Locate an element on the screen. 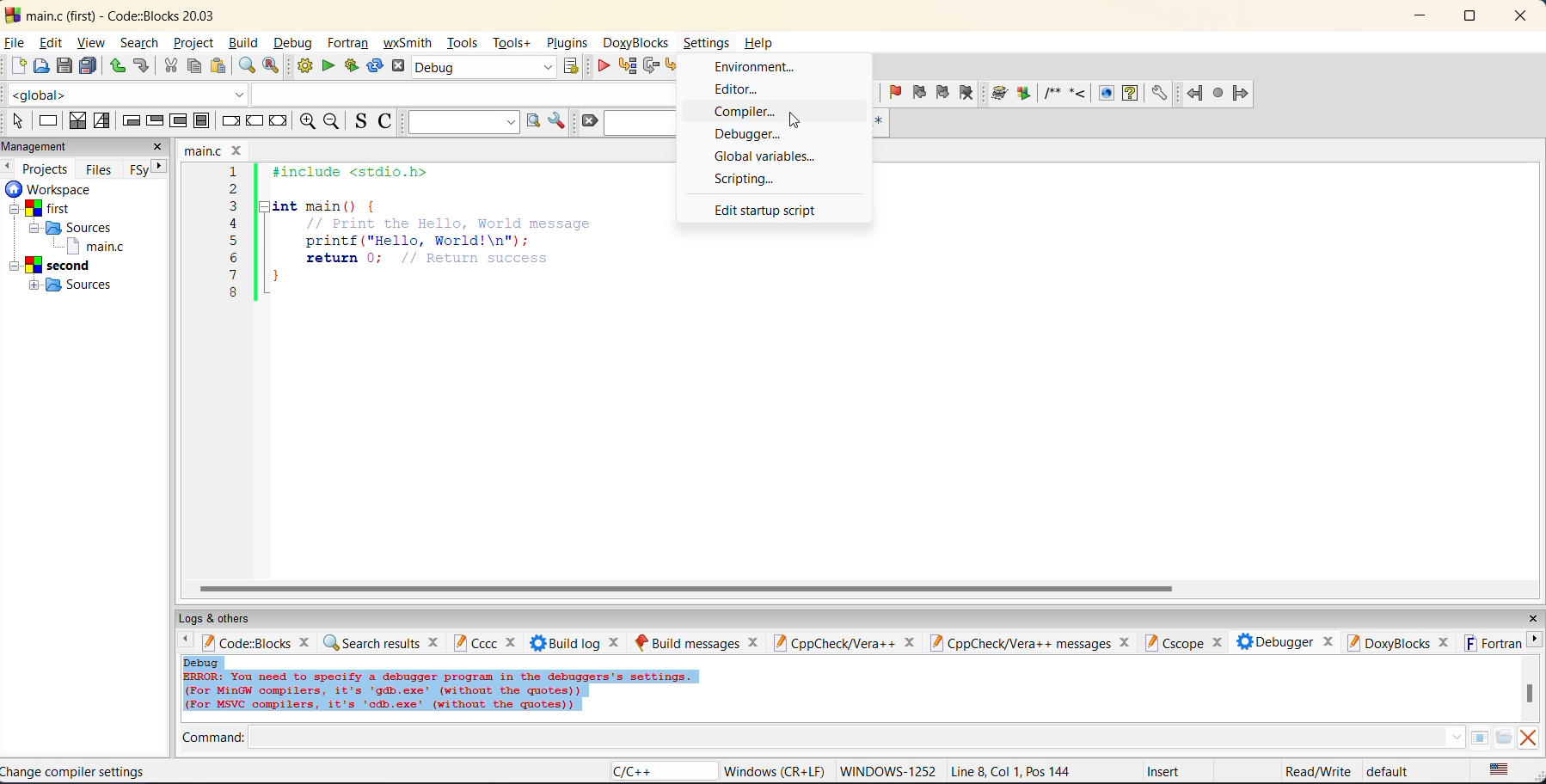 This screenshot has width=1546, height=784. entry-condition loop is located at coordinates (132, 123).